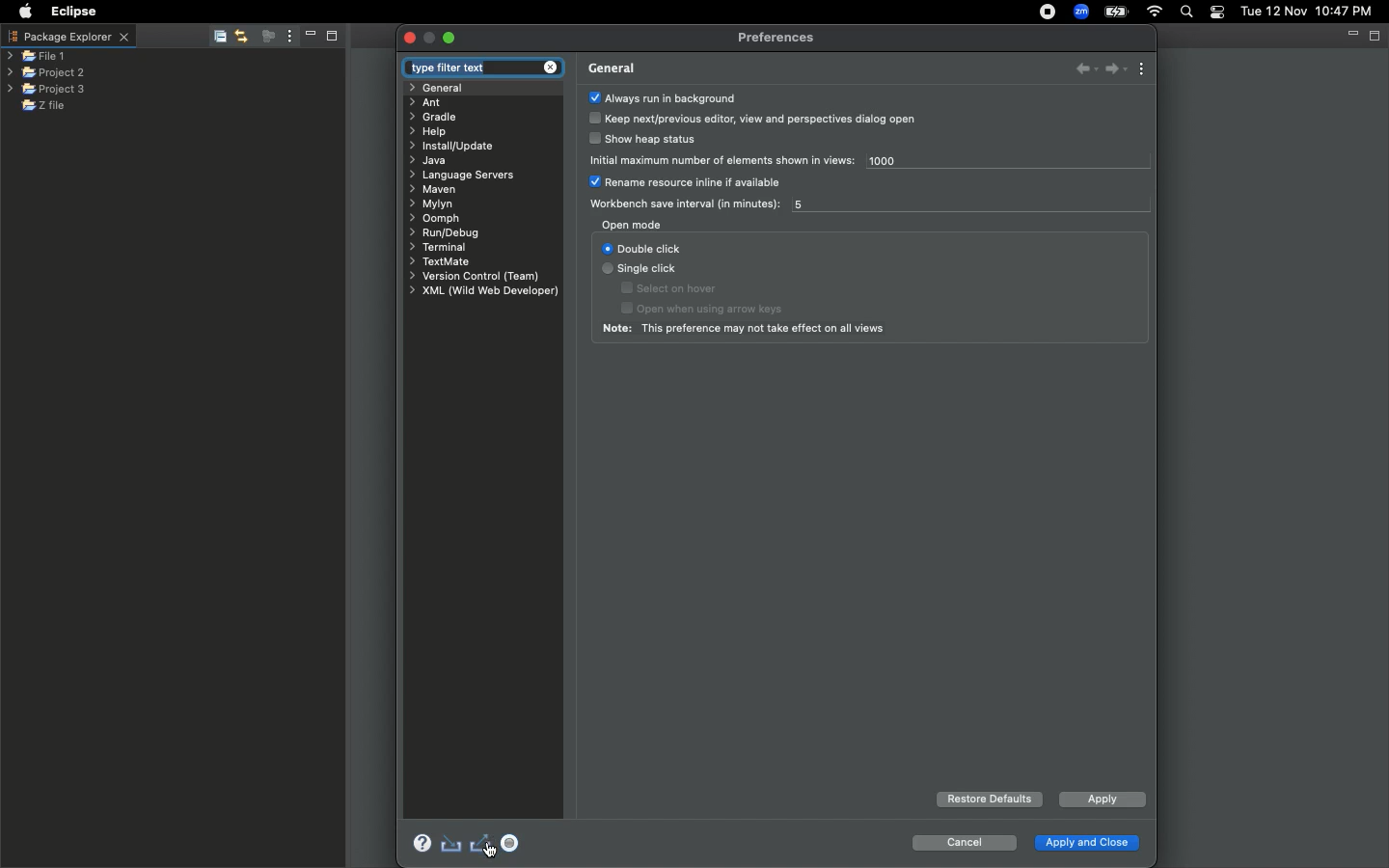 The image size is (1389, 868). Describe the element at coordinates (642, 248) in the screenshot. I see `Double click` at that location.